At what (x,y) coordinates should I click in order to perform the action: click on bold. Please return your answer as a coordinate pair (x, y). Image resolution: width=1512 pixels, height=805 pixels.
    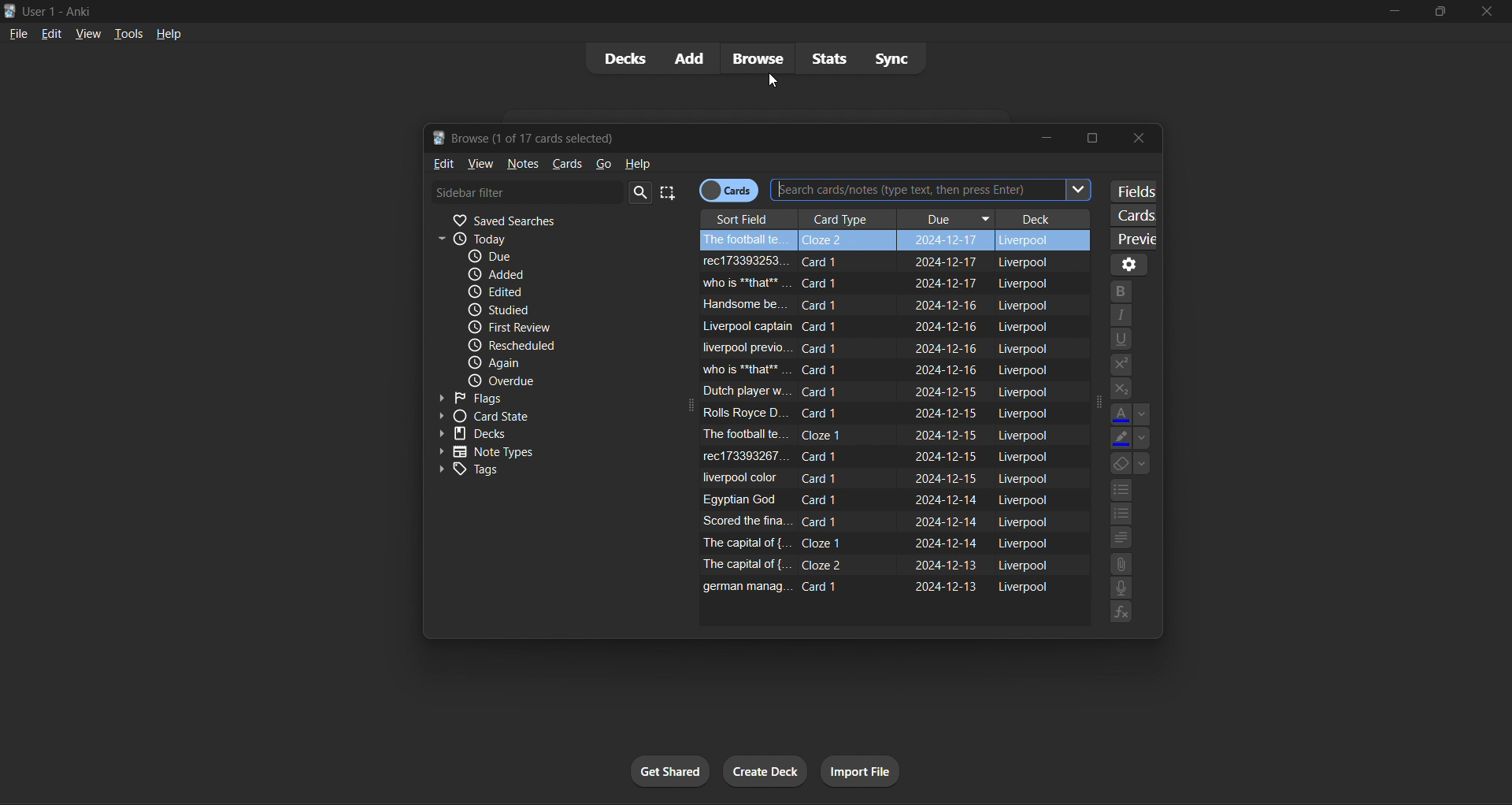
    Looking at the image, I should click on (1124, 293).